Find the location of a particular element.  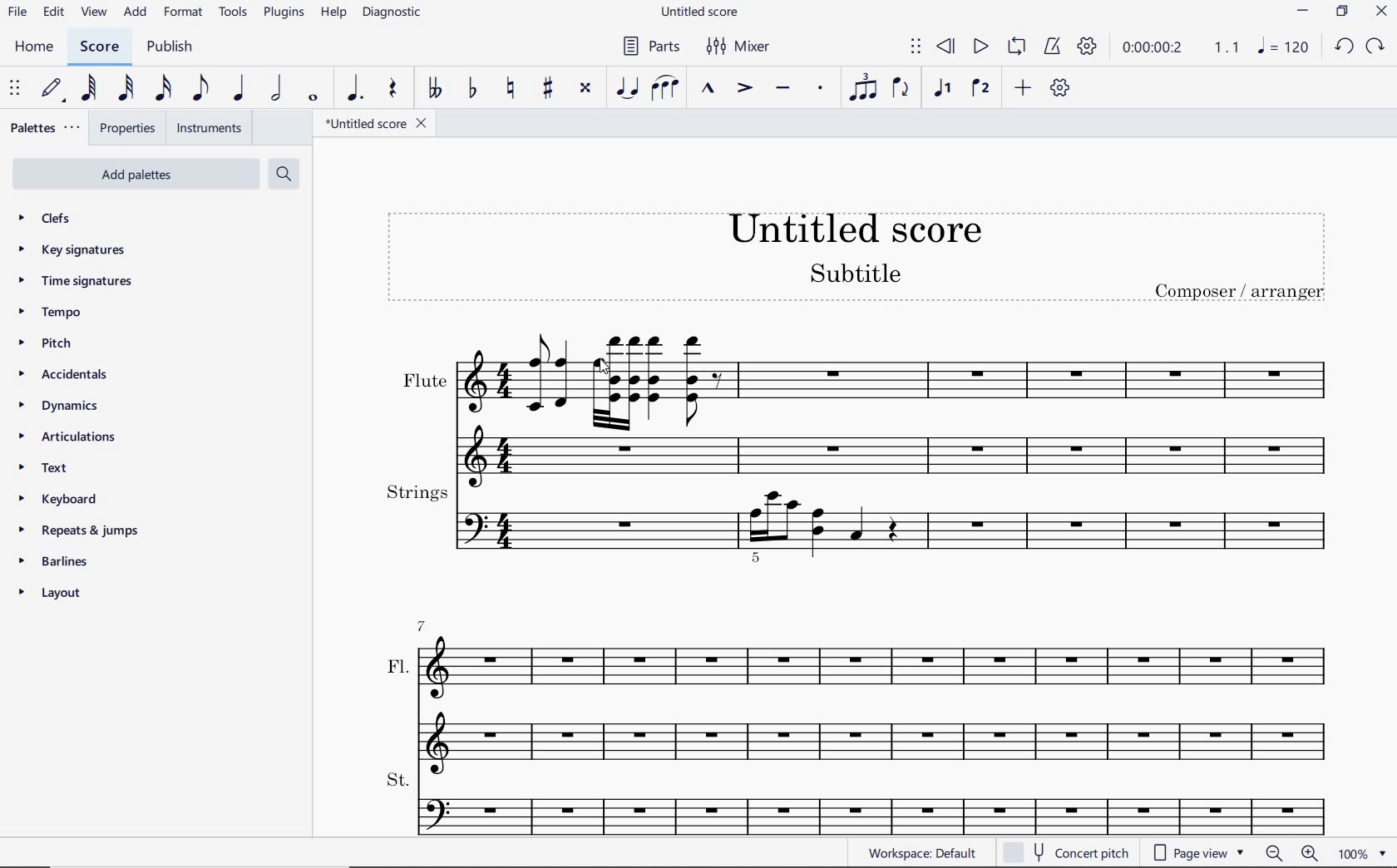

TIE is located at coordinates (629, 89).